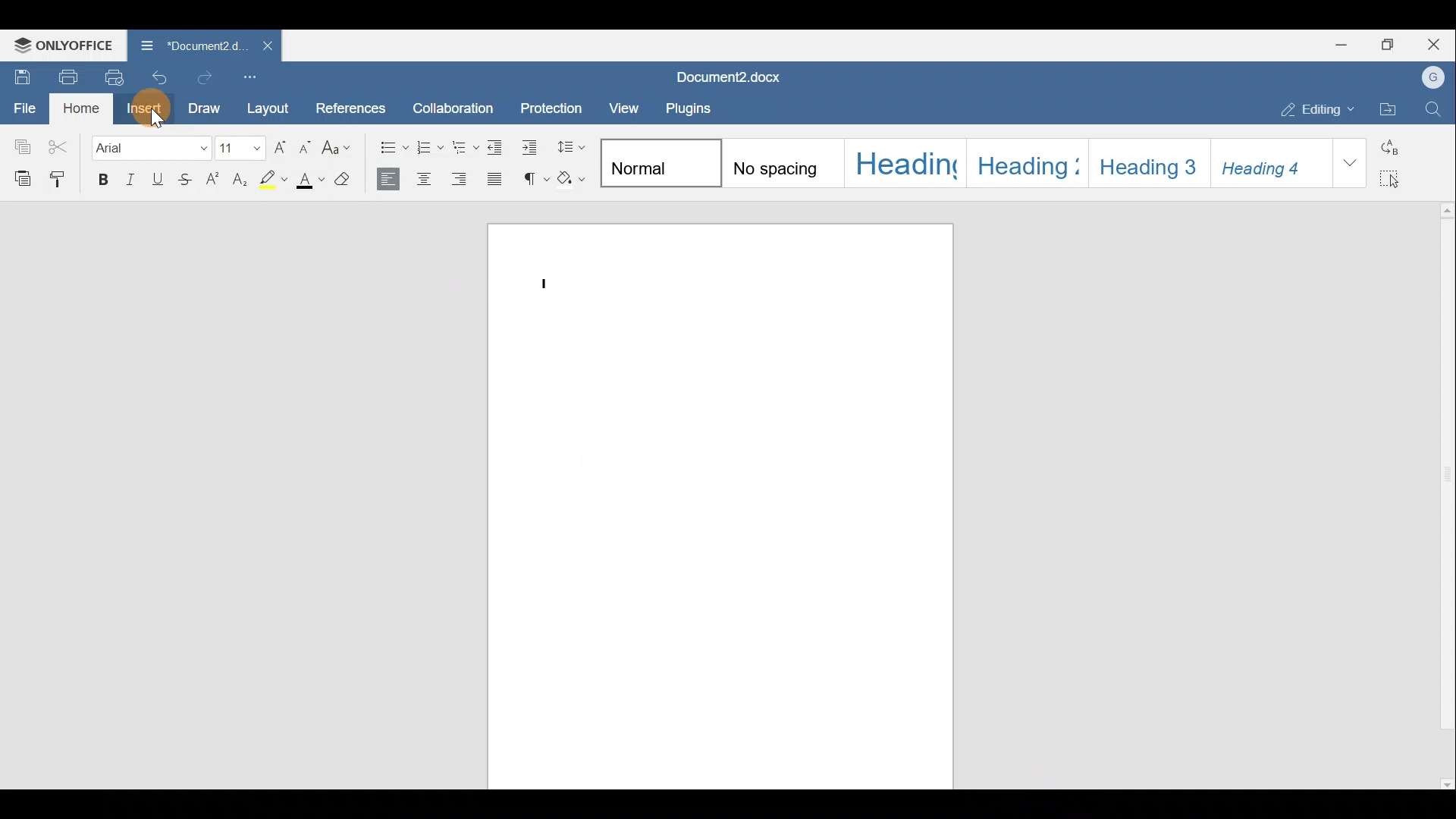 The image size is (1456, 819). I want to click on Style 2, so click(782, 162).